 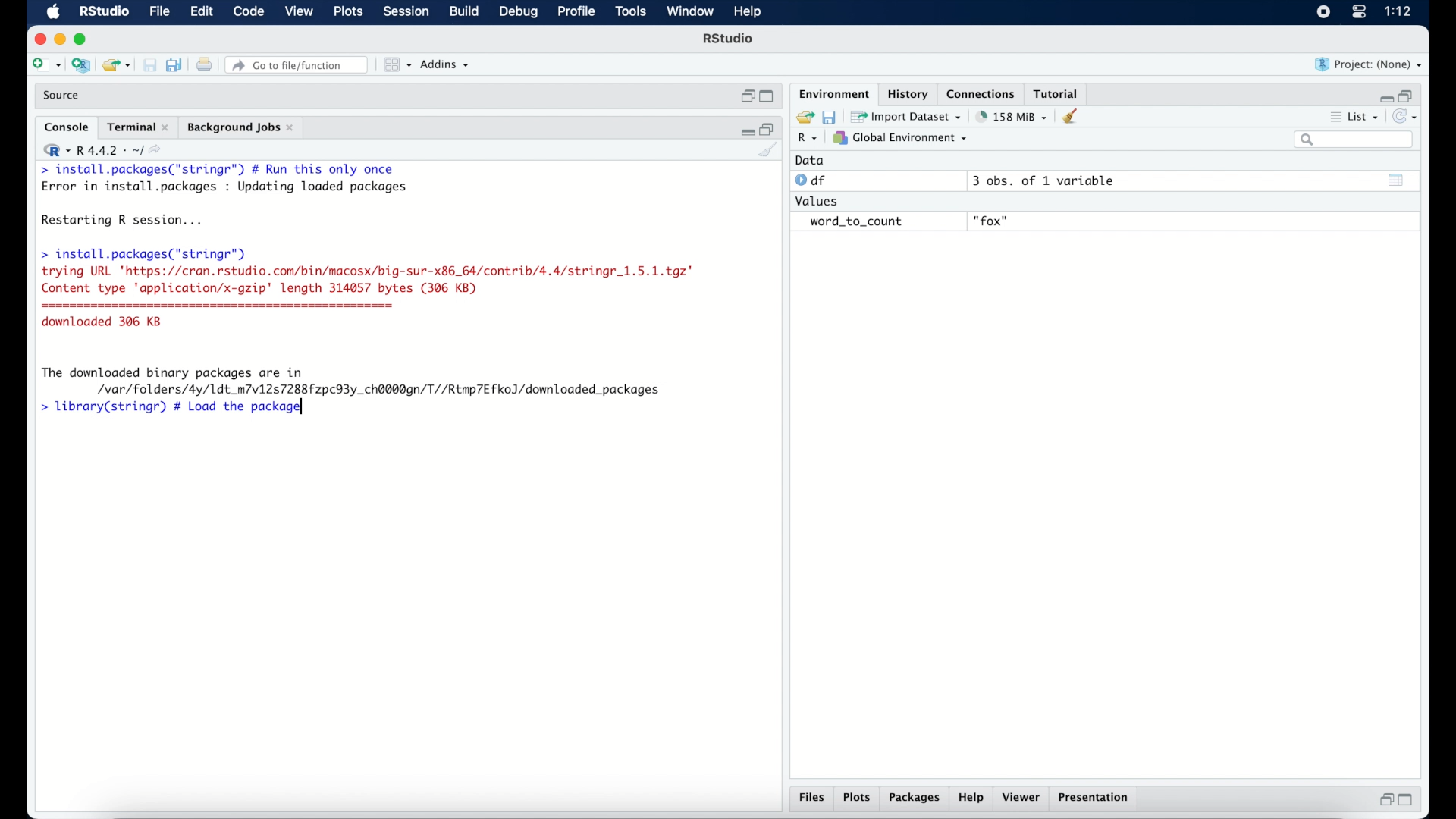 I want to click on minimize, so click(x=745, y=130).